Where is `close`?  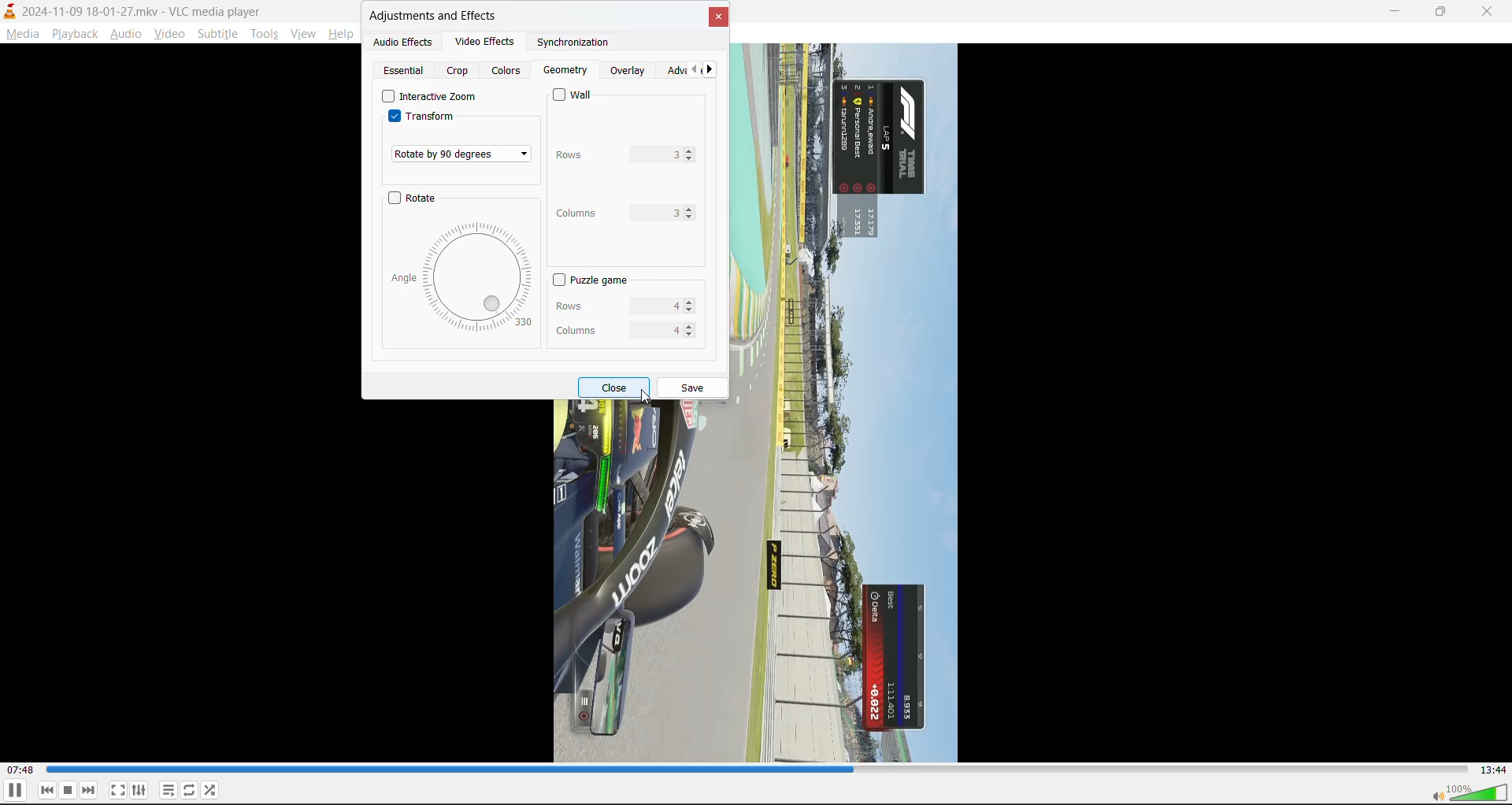
close is located at coordinates (717, 18).